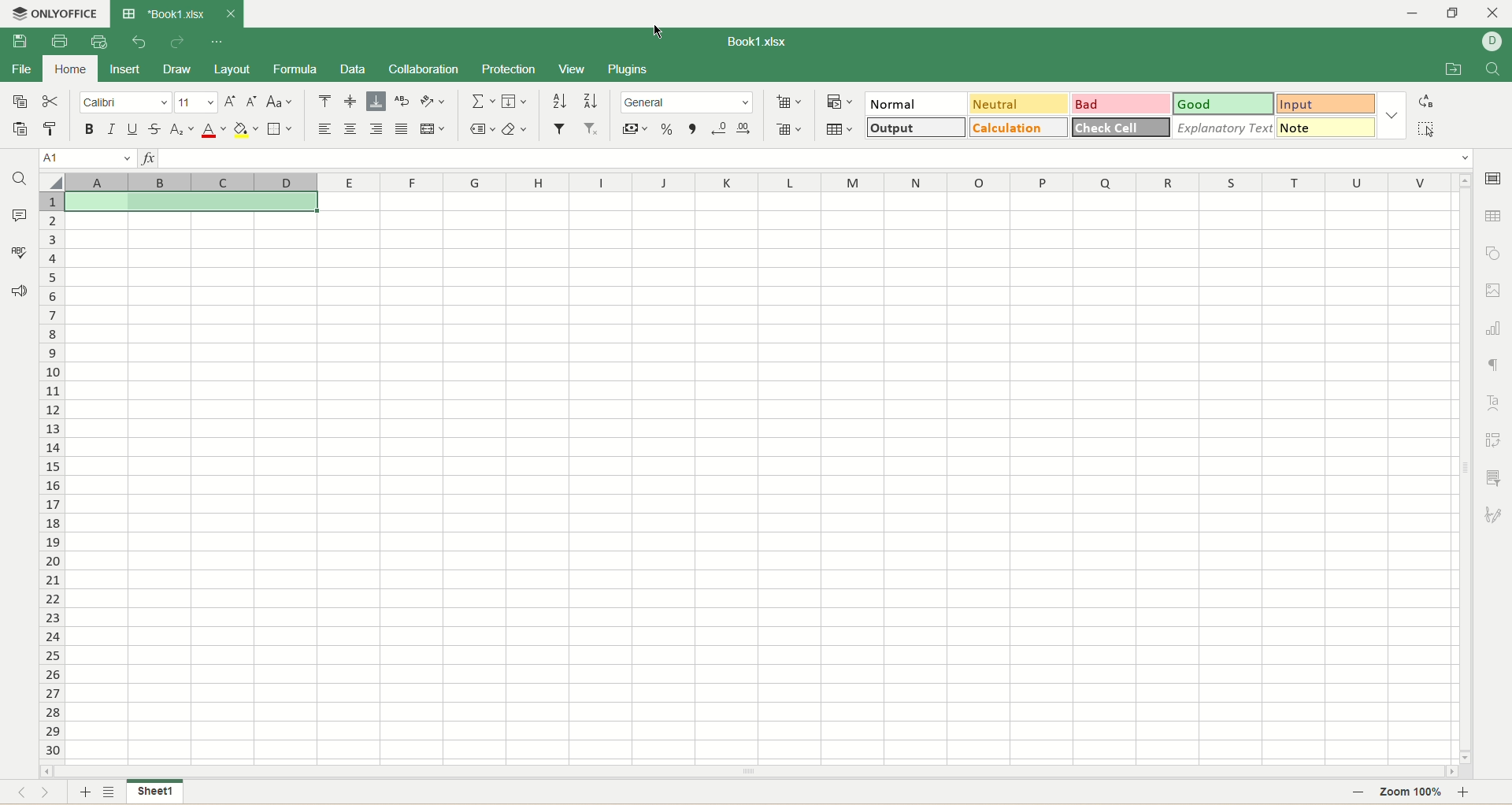  Describe the element at coordinates (1492, 42) in the screenshot. I see `username` at that location.